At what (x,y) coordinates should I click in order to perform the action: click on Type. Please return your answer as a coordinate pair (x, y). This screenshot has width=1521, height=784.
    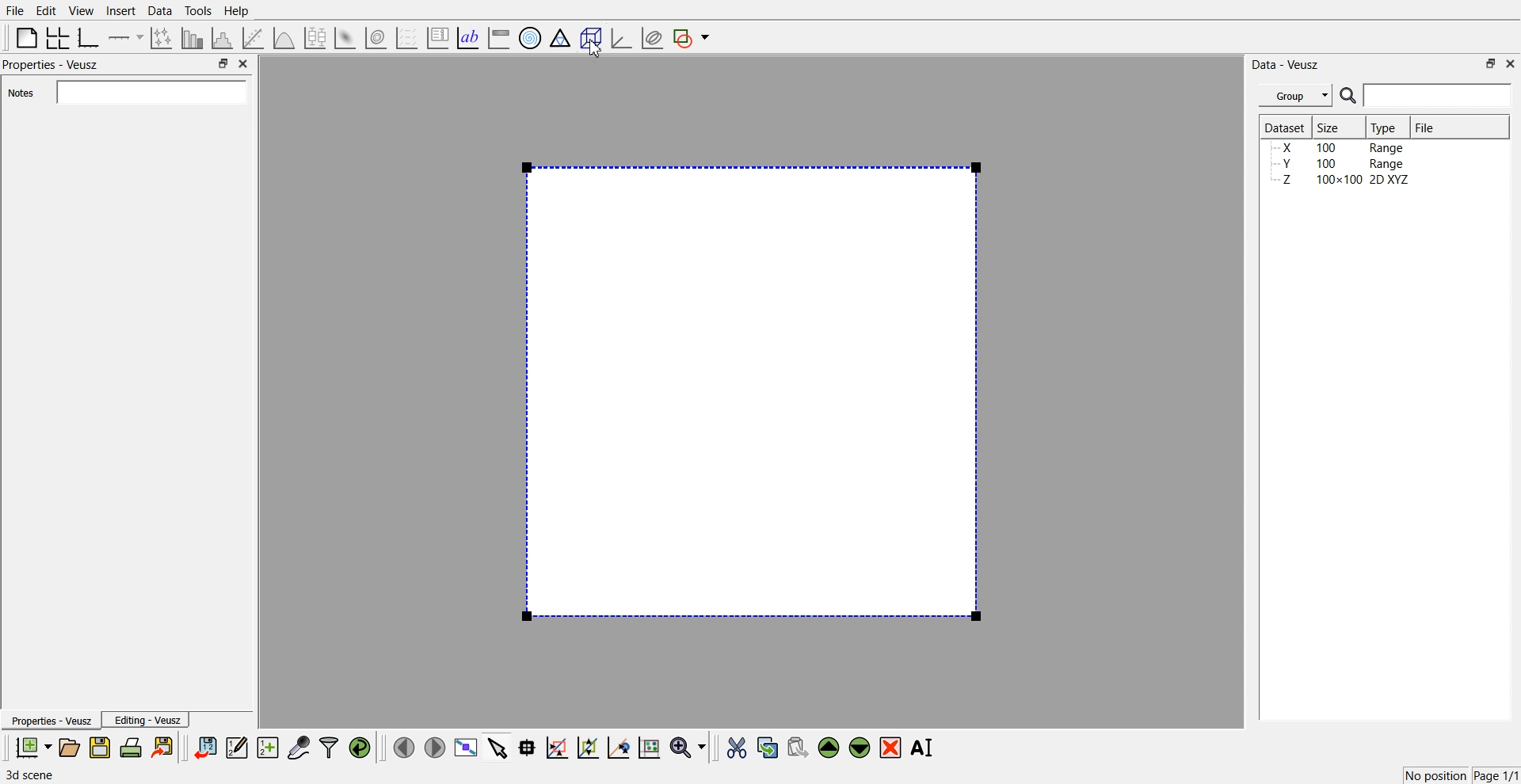
    Looking at the image, I should click on (1386, 127).